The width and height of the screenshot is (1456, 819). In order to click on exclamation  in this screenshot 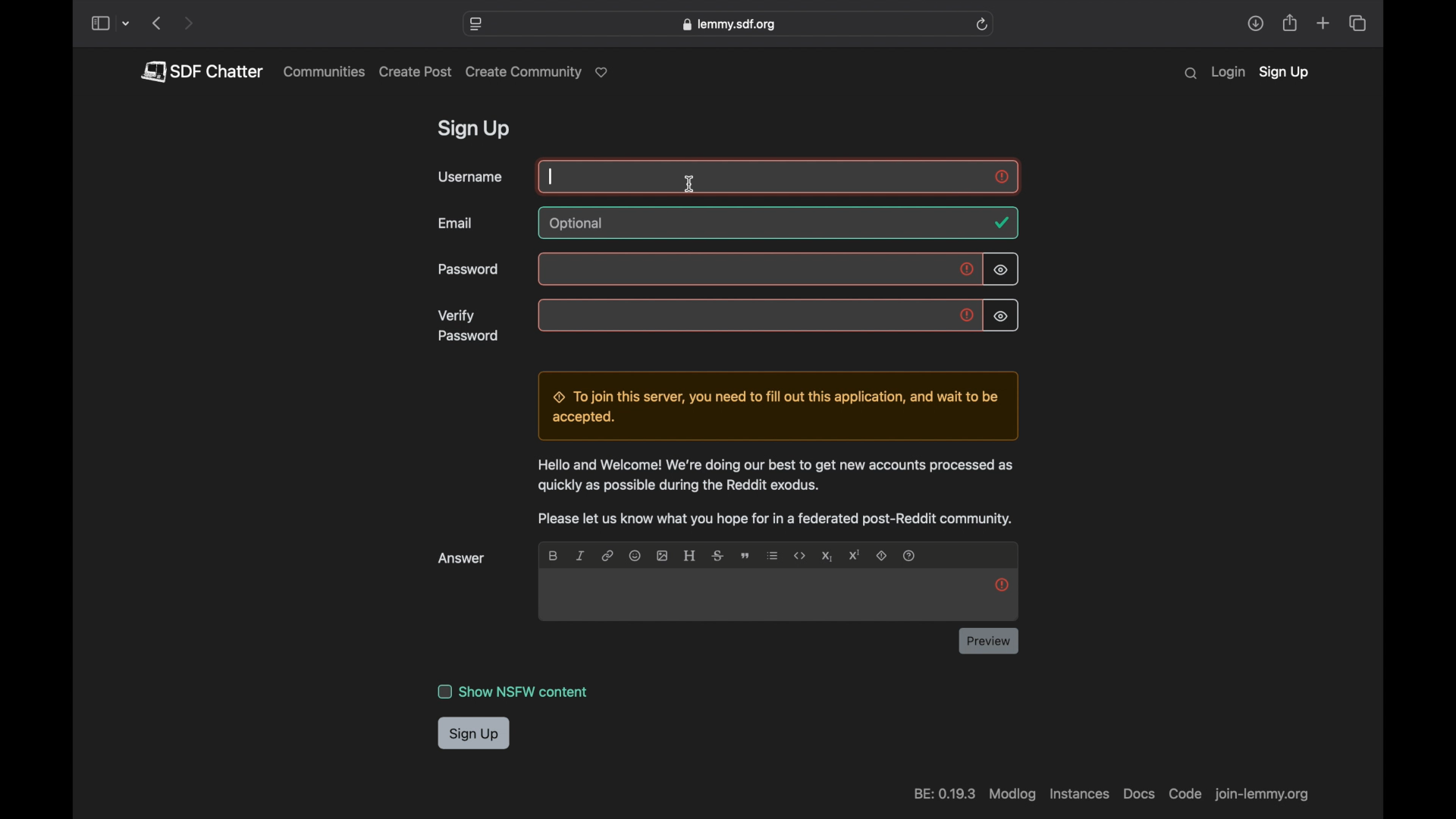, I will do `click(1002, 584)`.